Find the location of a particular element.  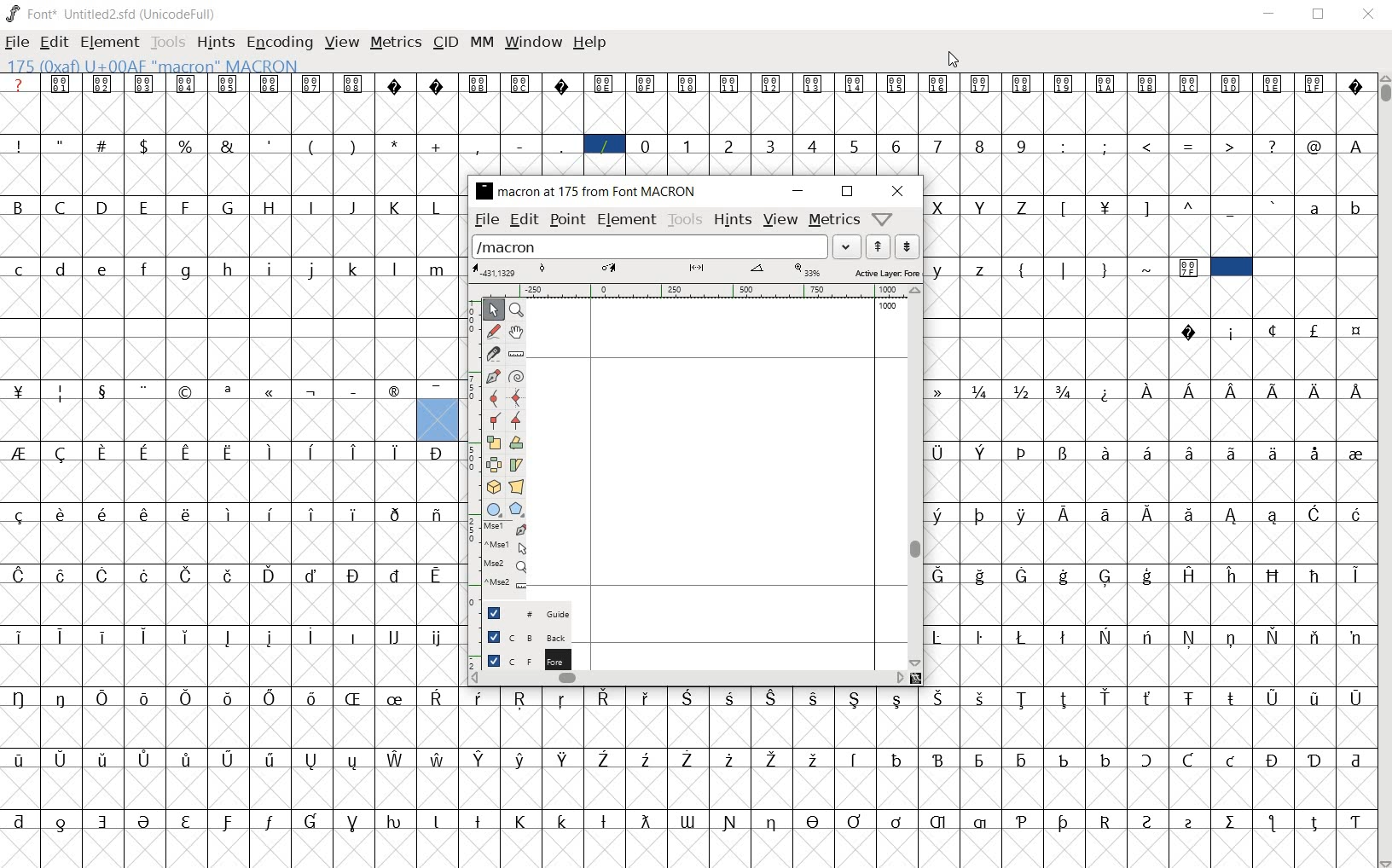

Symbol is located at coordinates (525, 698).